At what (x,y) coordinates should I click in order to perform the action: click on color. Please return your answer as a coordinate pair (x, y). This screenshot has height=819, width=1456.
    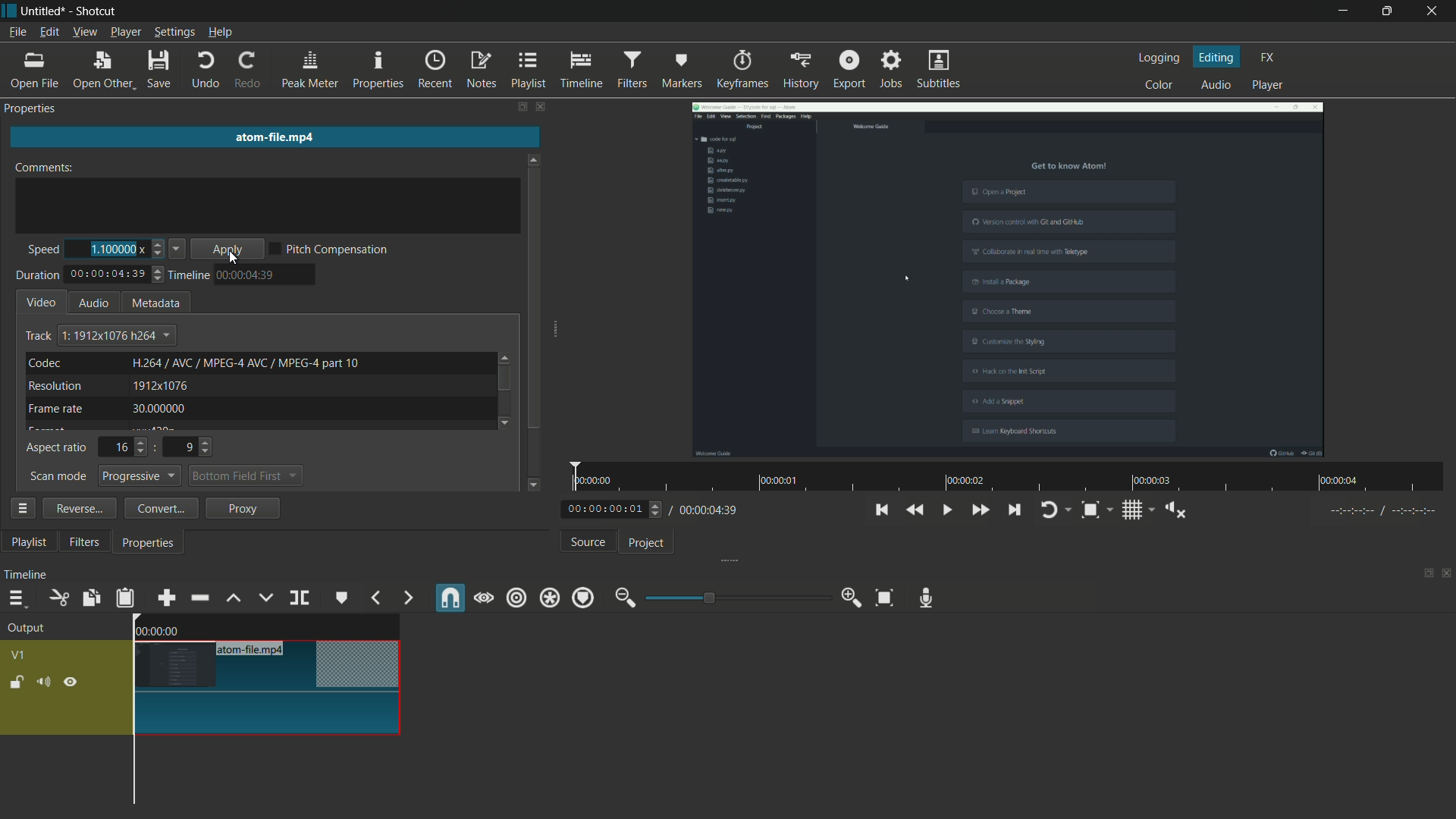
    Looking at the image, I should click on (1162, 85).